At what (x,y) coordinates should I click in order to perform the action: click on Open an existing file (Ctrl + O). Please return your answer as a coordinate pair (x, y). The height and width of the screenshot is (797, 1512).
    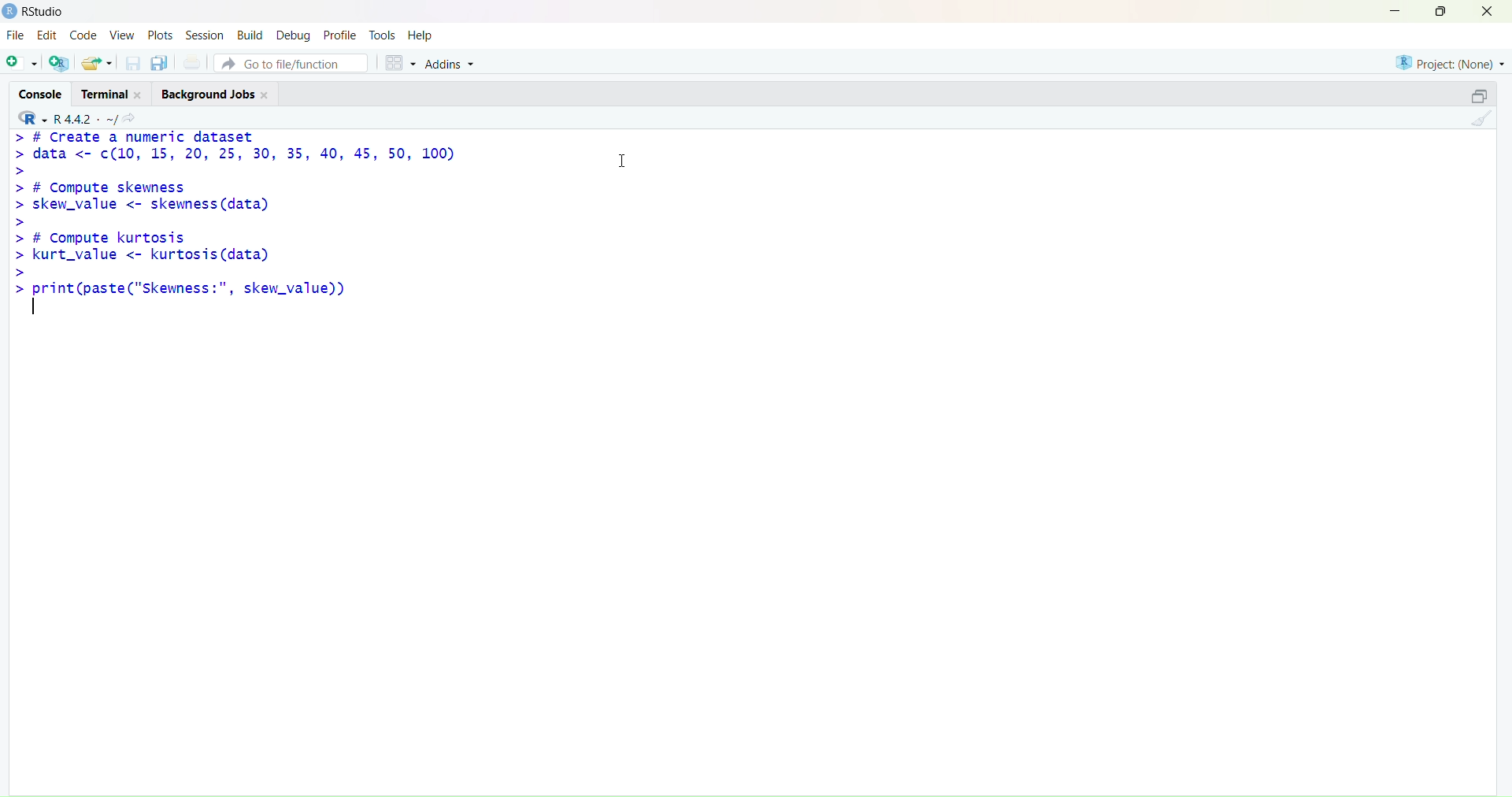
    Looking at the image, I should click on (98, 62).